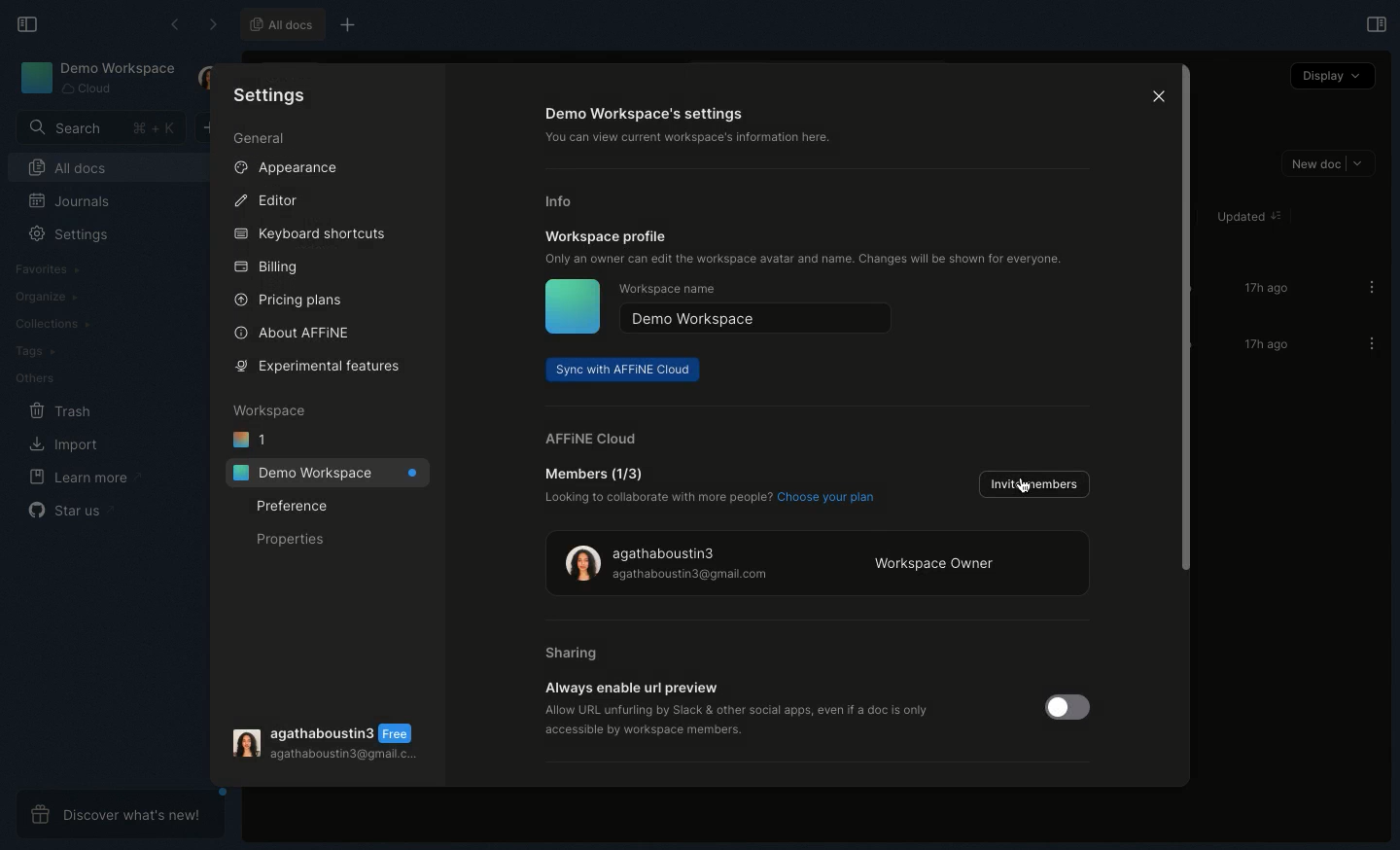 The height and width of the screenshot is (850, 1400). Describe the element at coordinates (1331, 75) in the screenshot. I see `Display` at that location.